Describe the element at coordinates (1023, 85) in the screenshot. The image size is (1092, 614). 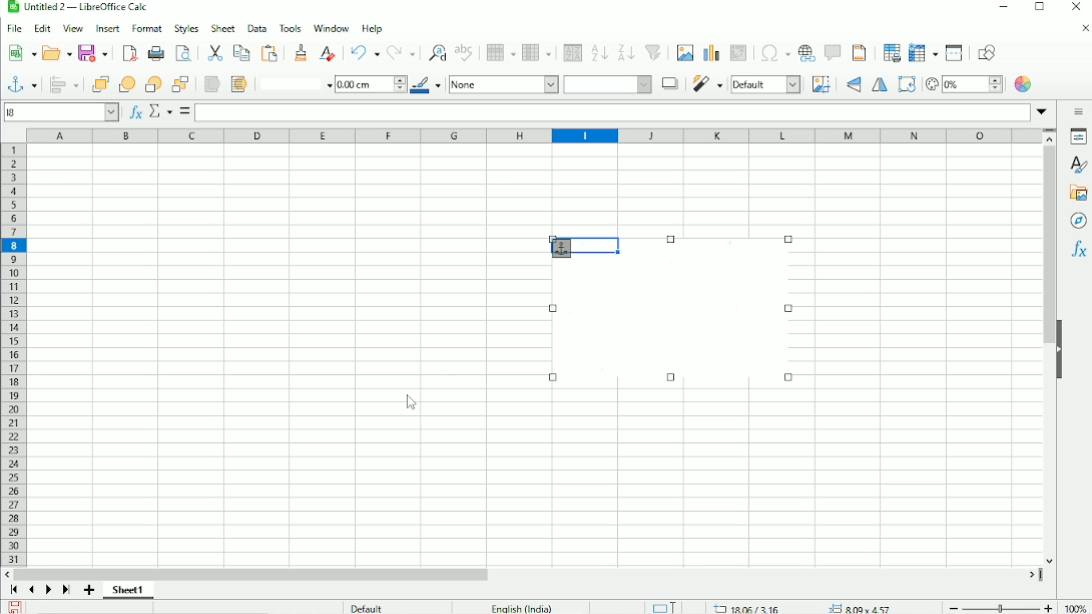
I see `color` at that location.